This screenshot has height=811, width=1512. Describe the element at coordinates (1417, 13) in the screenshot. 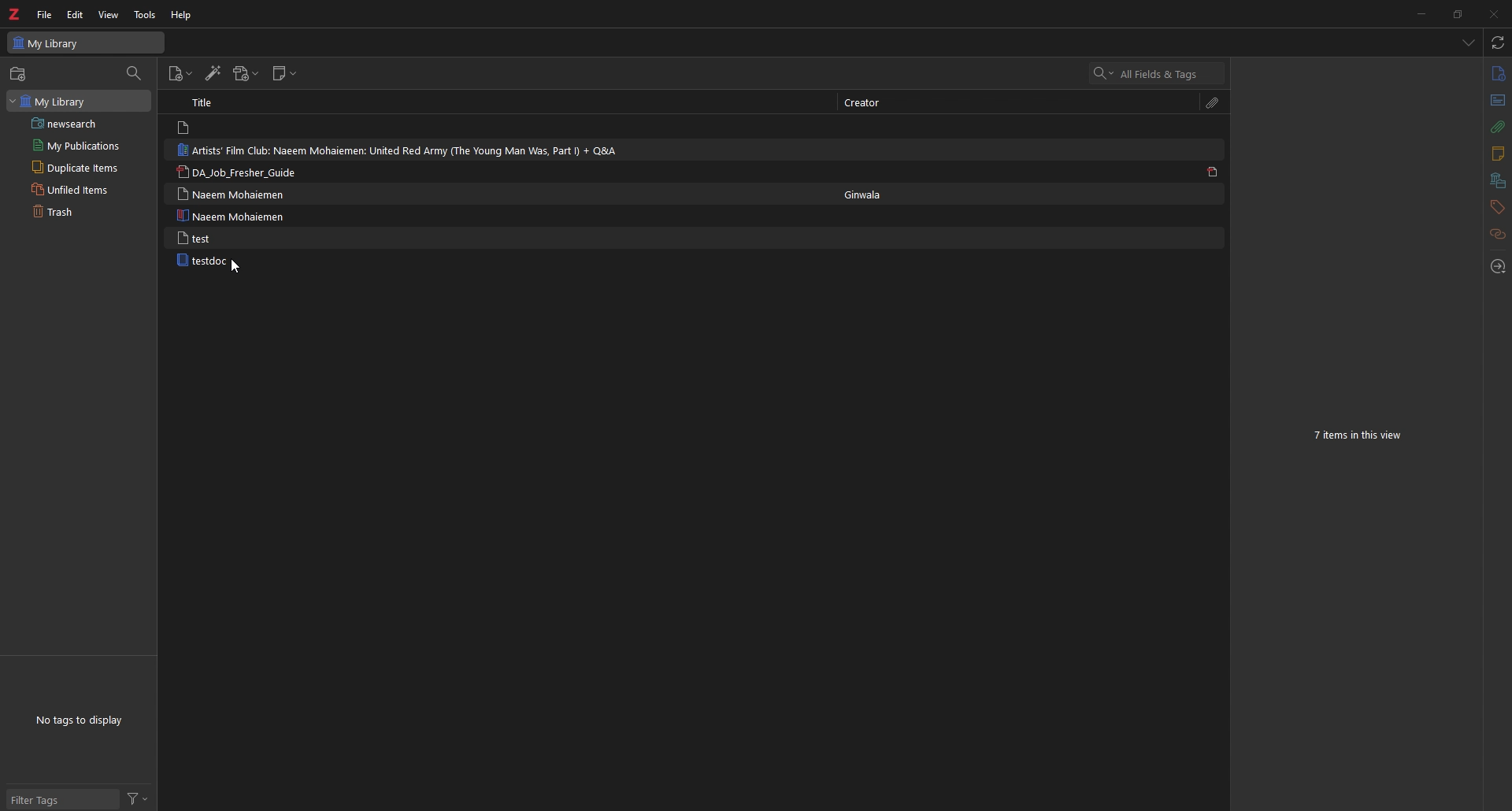

I see `minimize` at that location.